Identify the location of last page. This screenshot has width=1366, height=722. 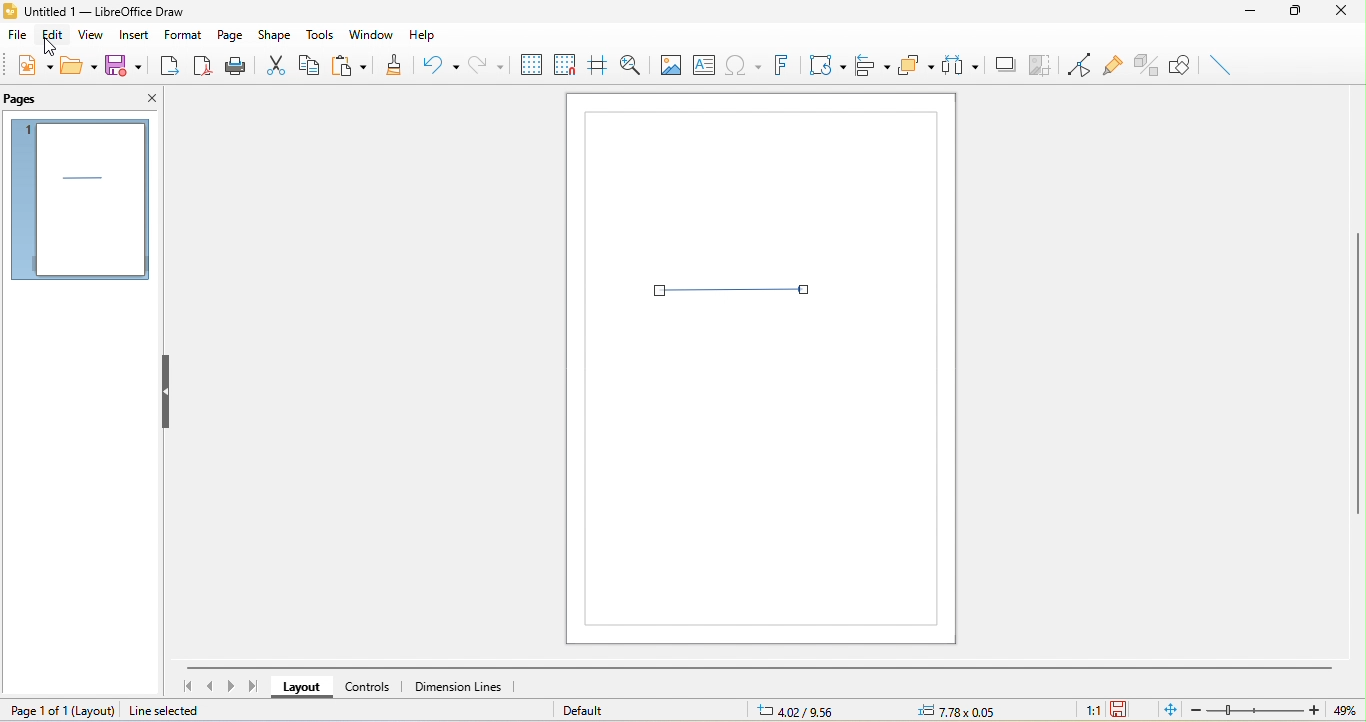
(255, 686).